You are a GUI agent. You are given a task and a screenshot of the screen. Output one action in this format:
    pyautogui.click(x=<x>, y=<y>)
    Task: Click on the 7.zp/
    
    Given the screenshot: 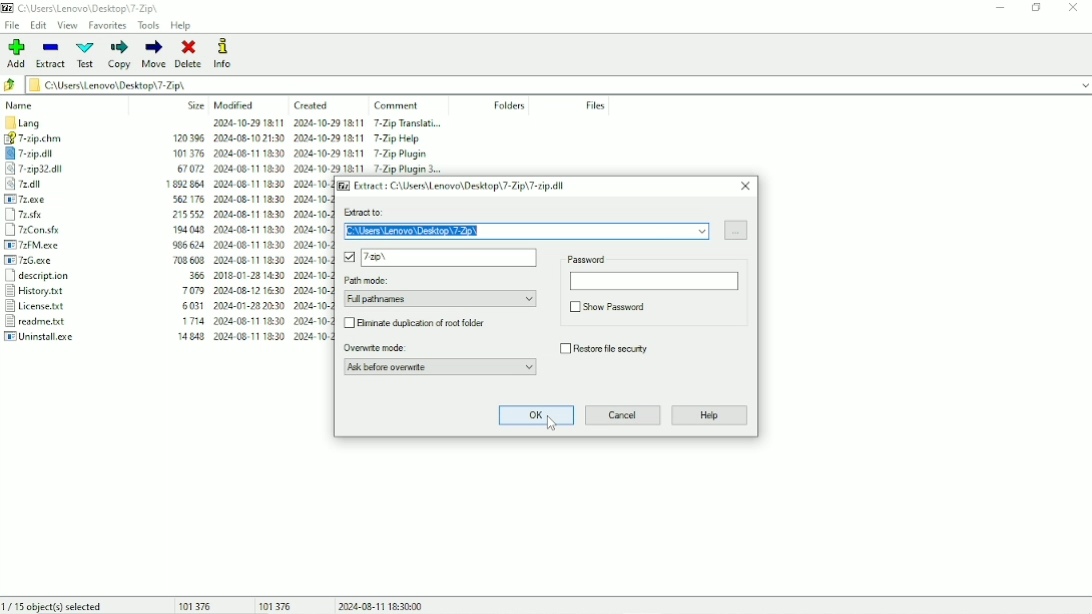 What is the action you would take?
    pyautogui.click(x=441, y=258)
    